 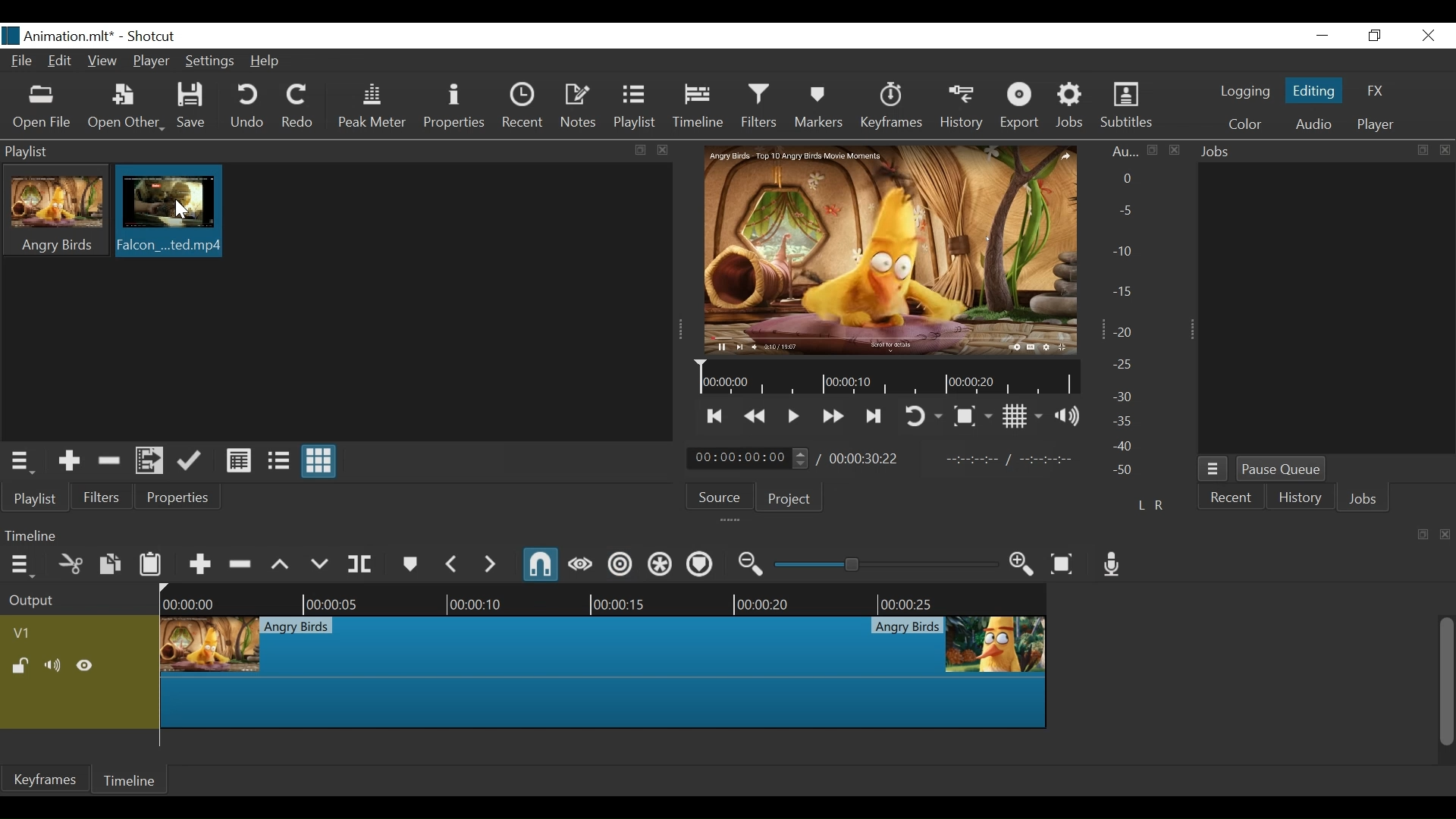 I want to click on Snap, so click(x=542, y=566).